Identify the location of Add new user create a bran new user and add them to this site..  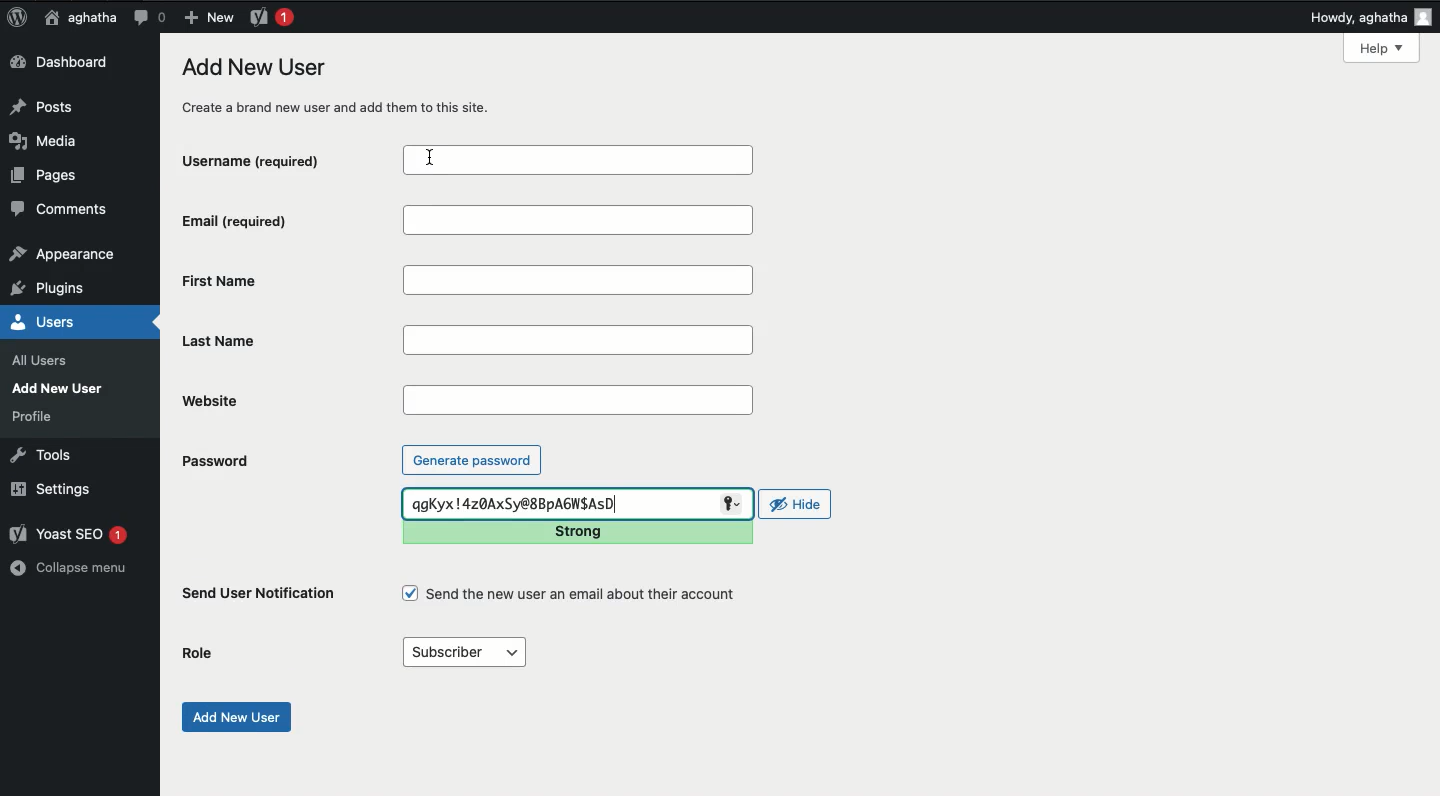
(347, 86).